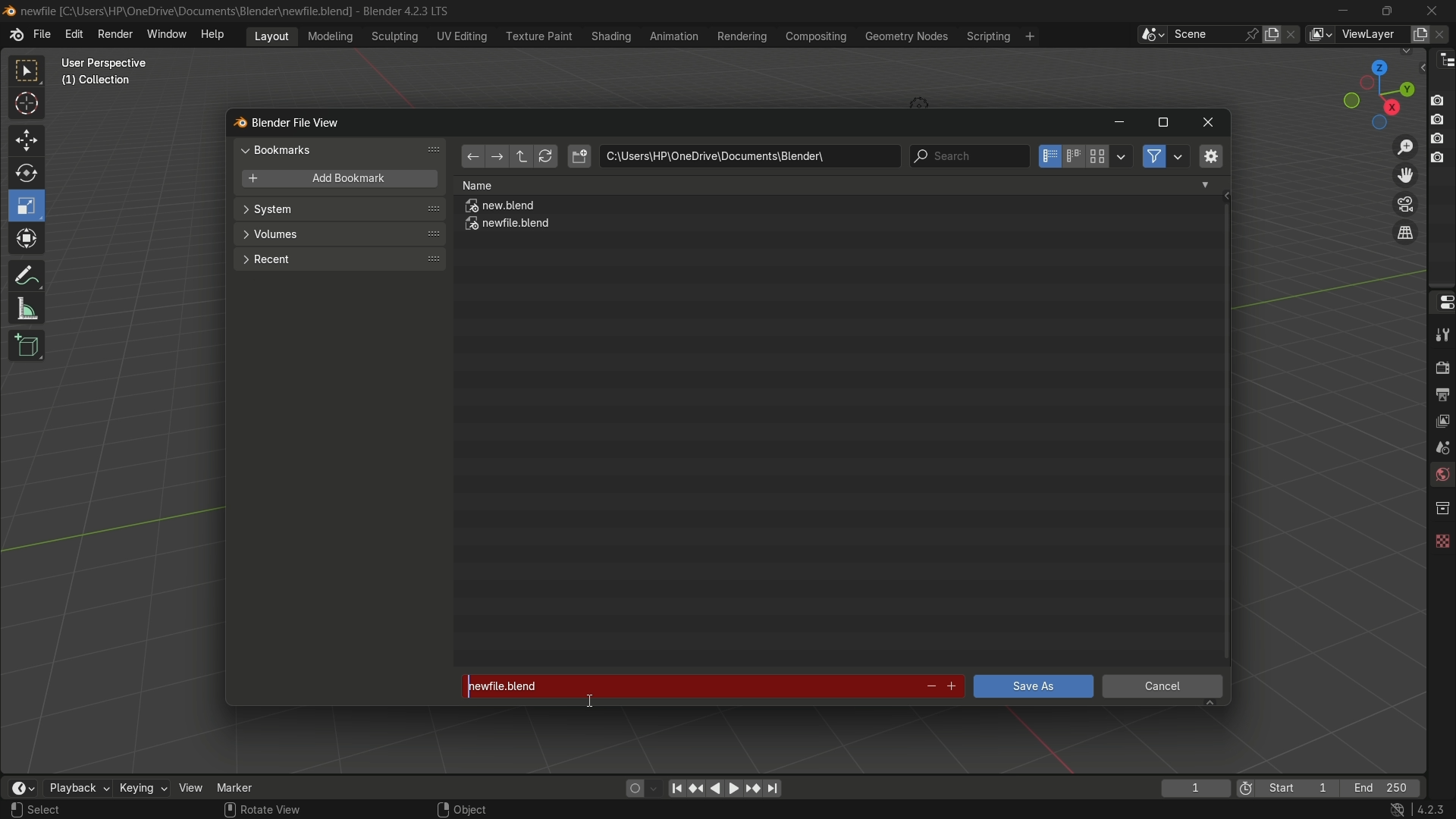 The image size is (1456, 819). What do you see at coordinates (335, 180) in the screenshot?
I see `add bookmark` at bounding box center [335, 180].